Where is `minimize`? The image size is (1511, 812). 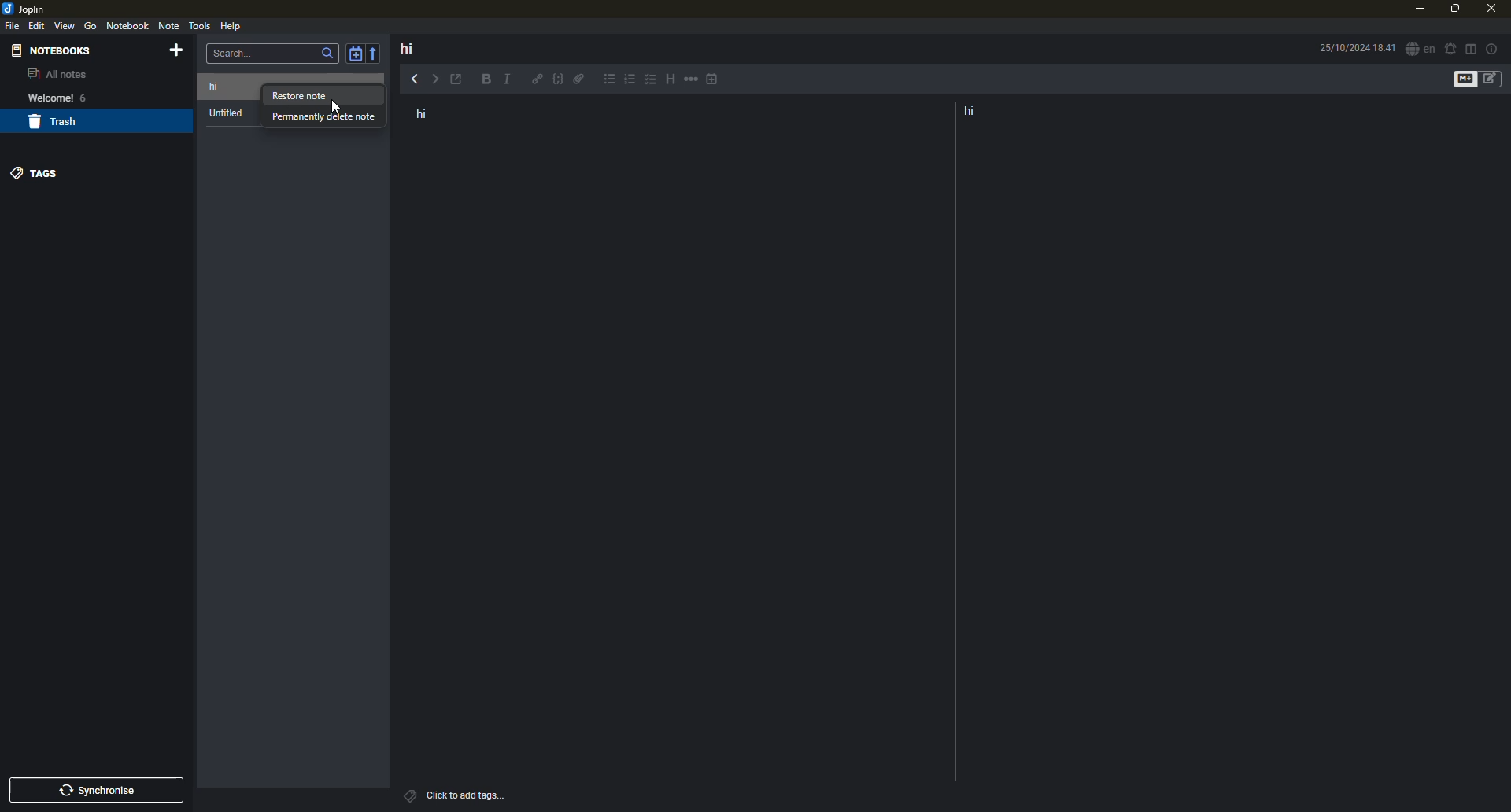
minimize is located at coordinates (1417, 9).